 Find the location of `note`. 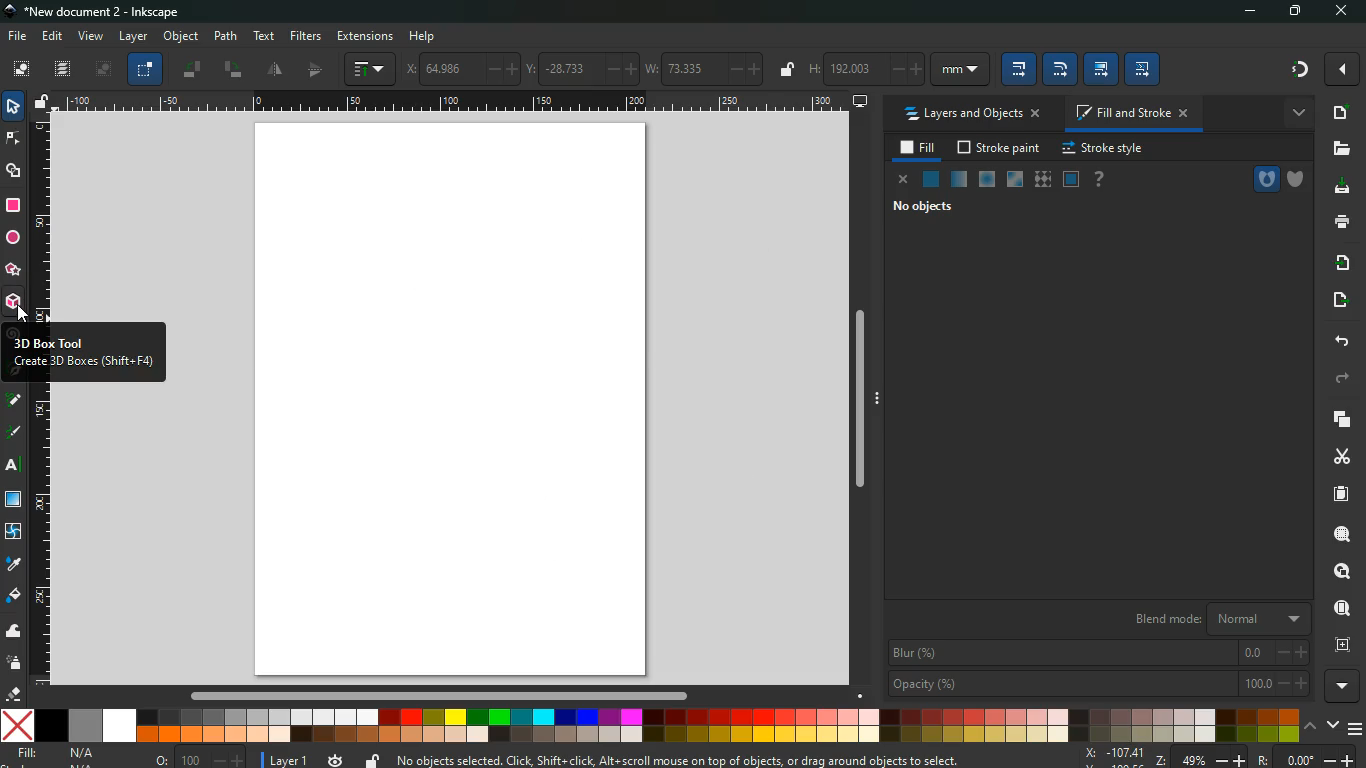

note is located at coordinates (16, 399).